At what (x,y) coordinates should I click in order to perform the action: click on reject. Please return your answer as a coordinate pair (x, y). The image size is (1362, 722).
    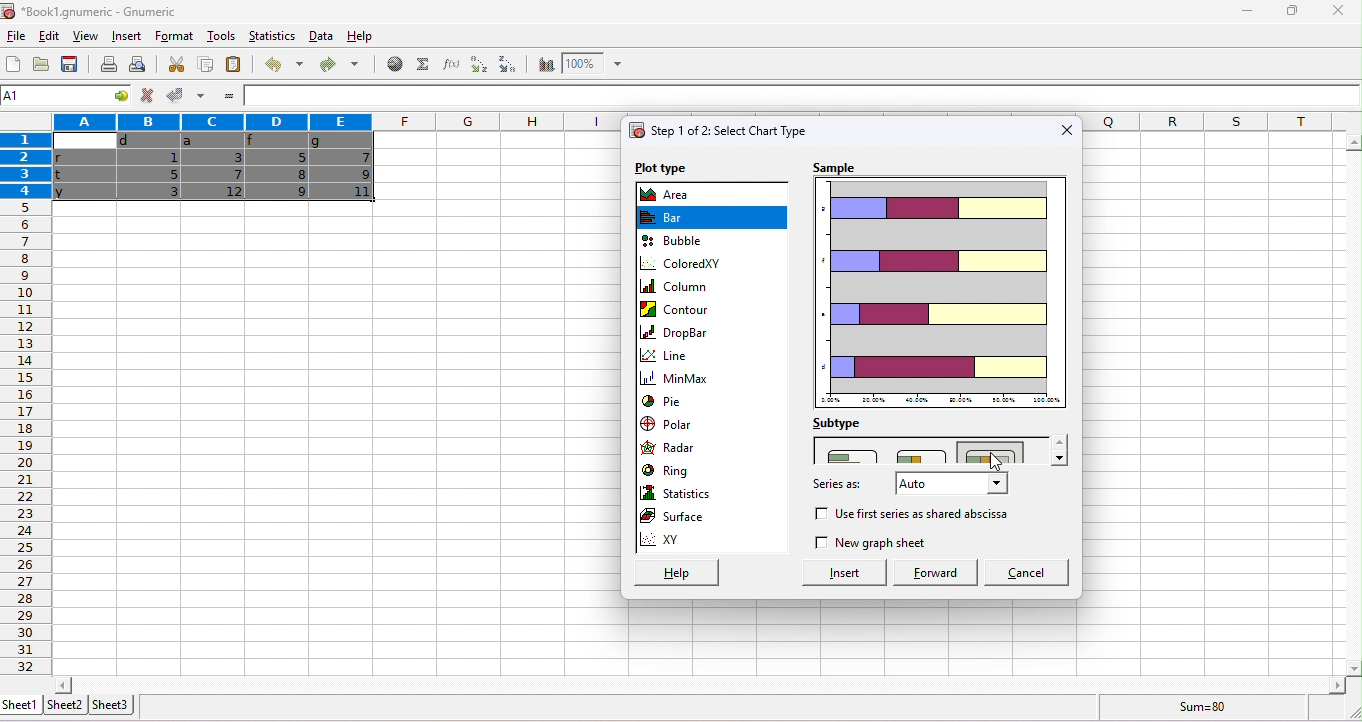
    Looking at the image, I should click on (146, 95).